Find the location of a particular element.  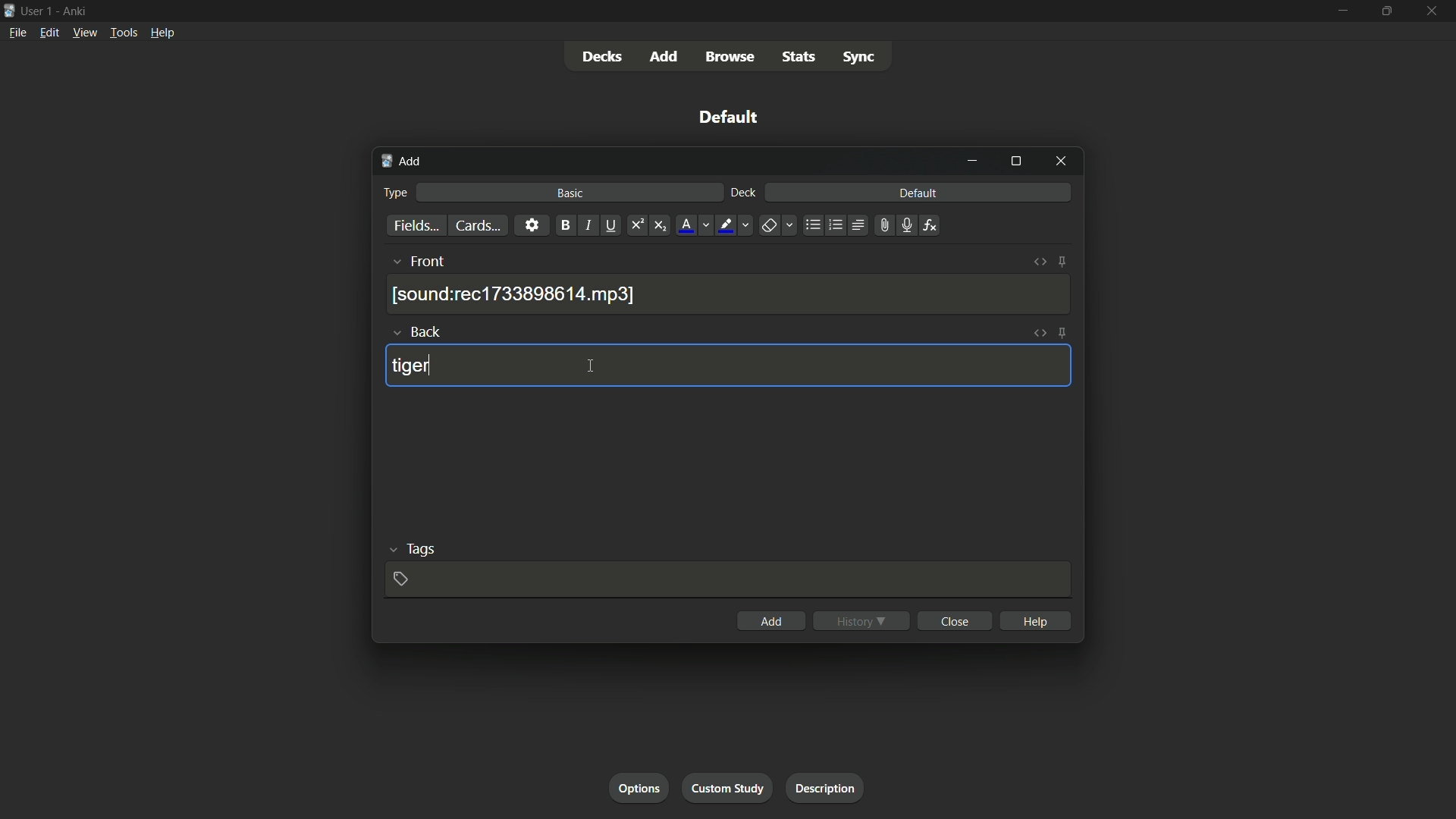

default is located at coordinates (729, 117).